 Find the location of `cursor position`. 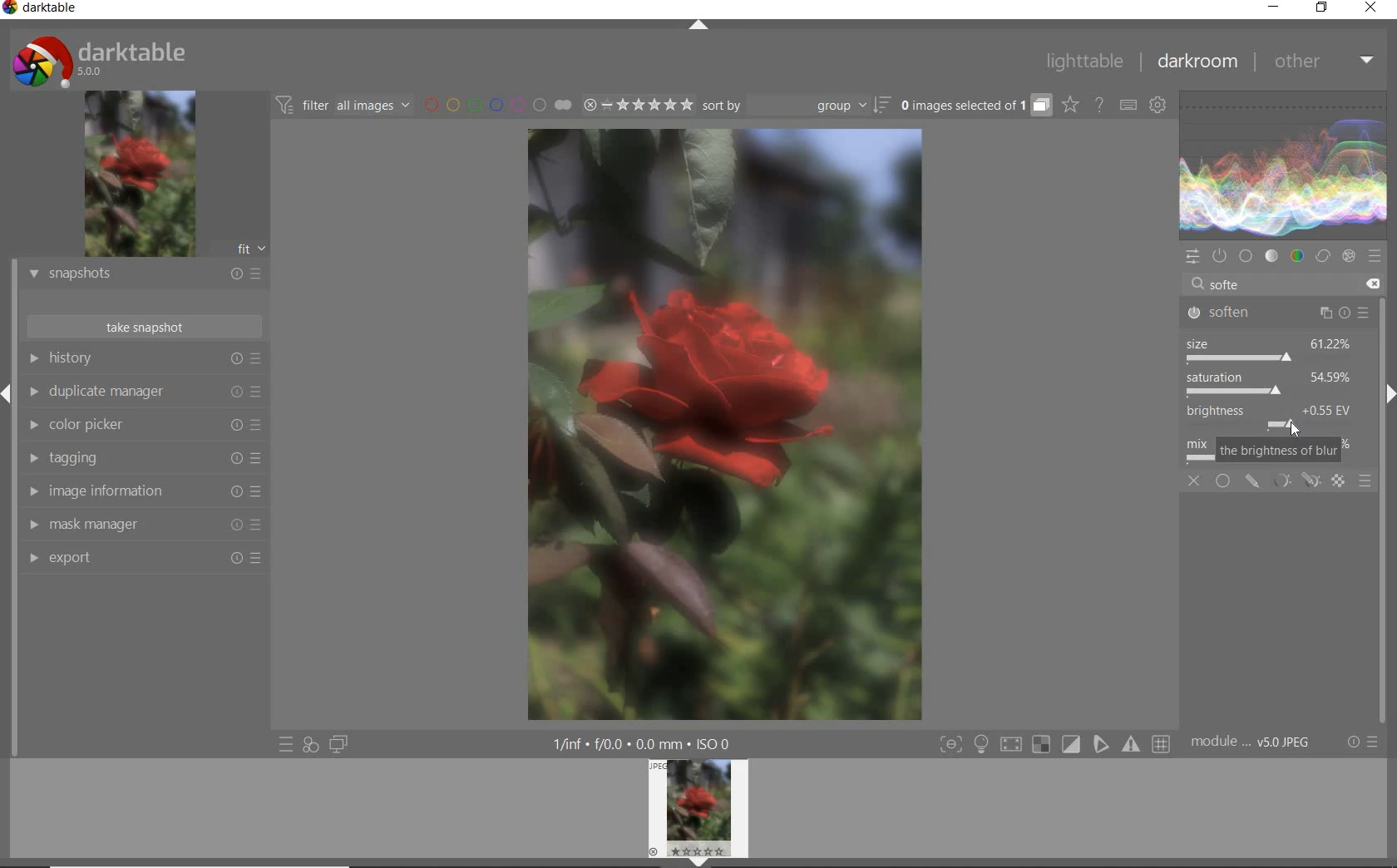

cursor position is located at coordinates (1294, 431).